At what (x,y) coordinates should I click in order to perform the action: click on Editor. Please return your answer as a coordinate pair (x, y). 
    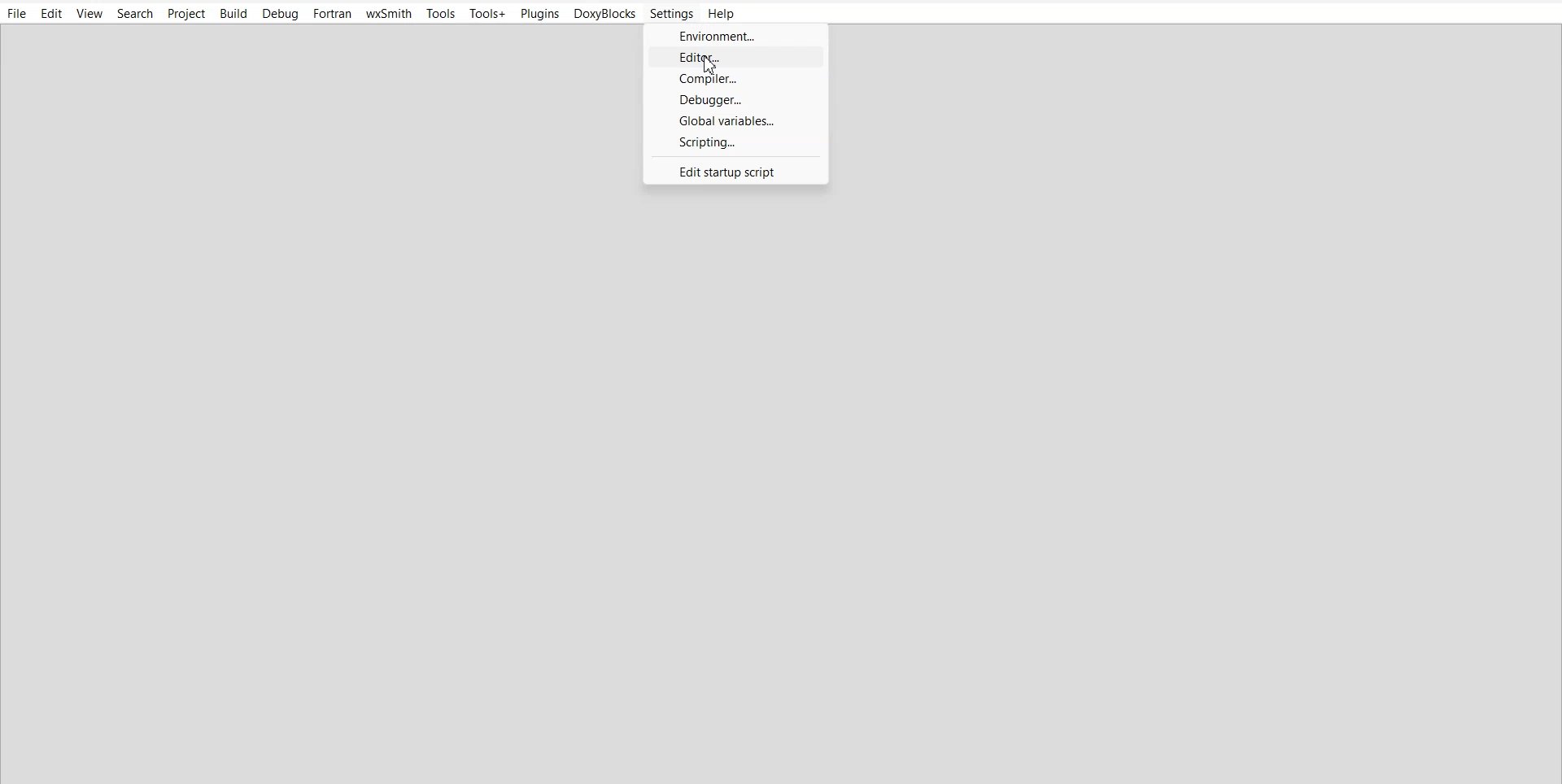
    Looking at the image, I should click on (735, 59).